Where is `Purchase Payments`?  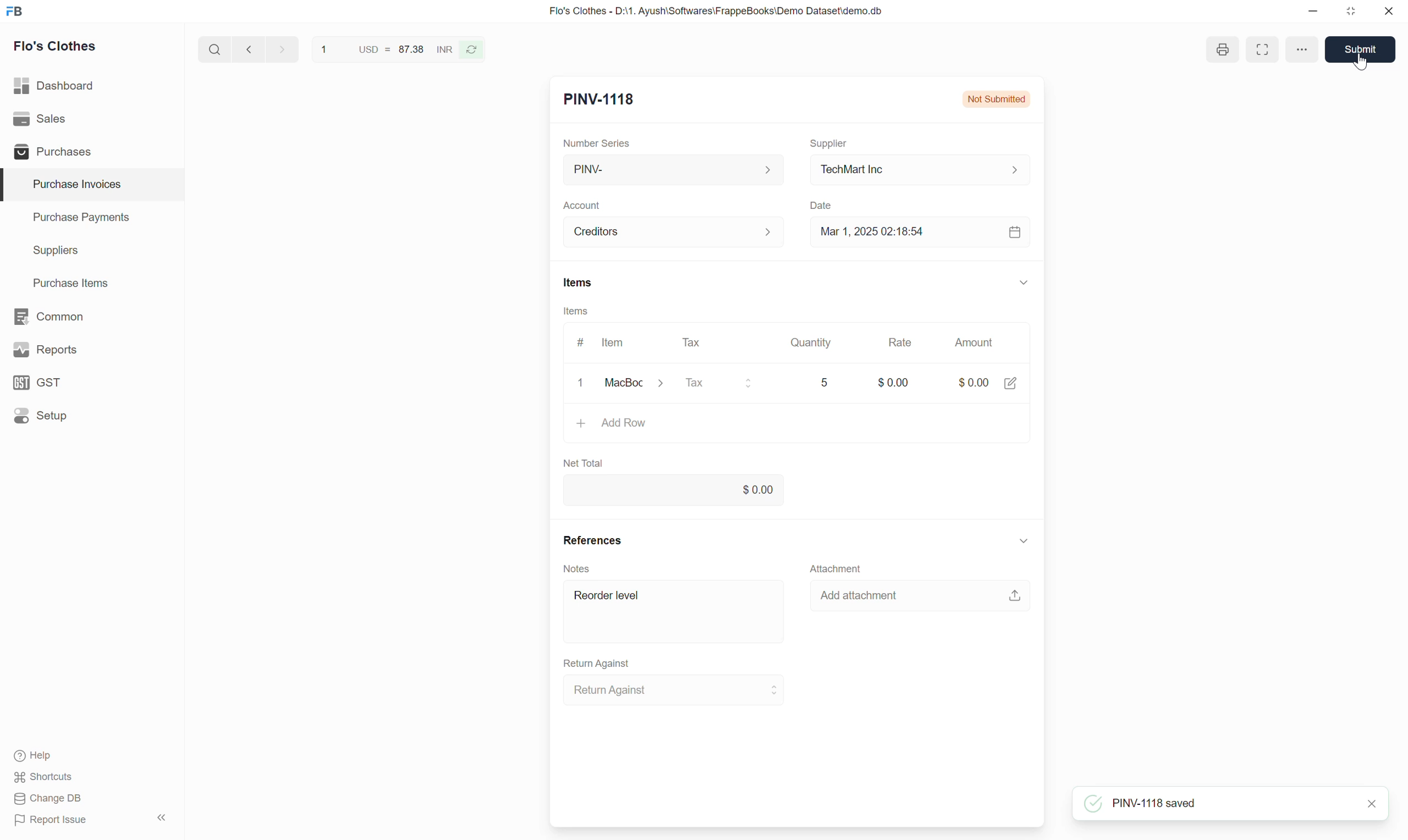 Purchase Payments is located at coordinates (92, 218).